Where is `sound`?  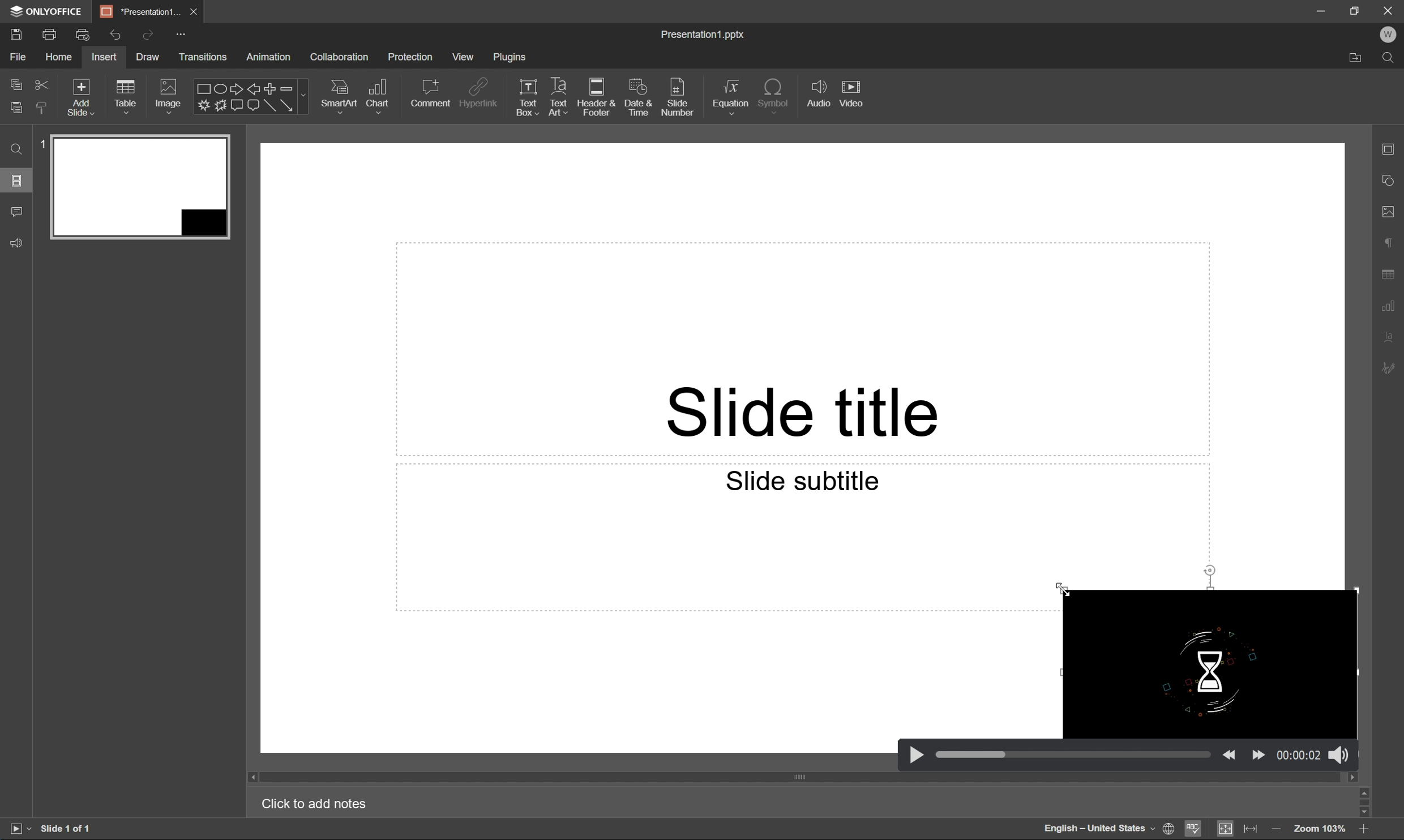 sound is located at coordinates (1338, 753).